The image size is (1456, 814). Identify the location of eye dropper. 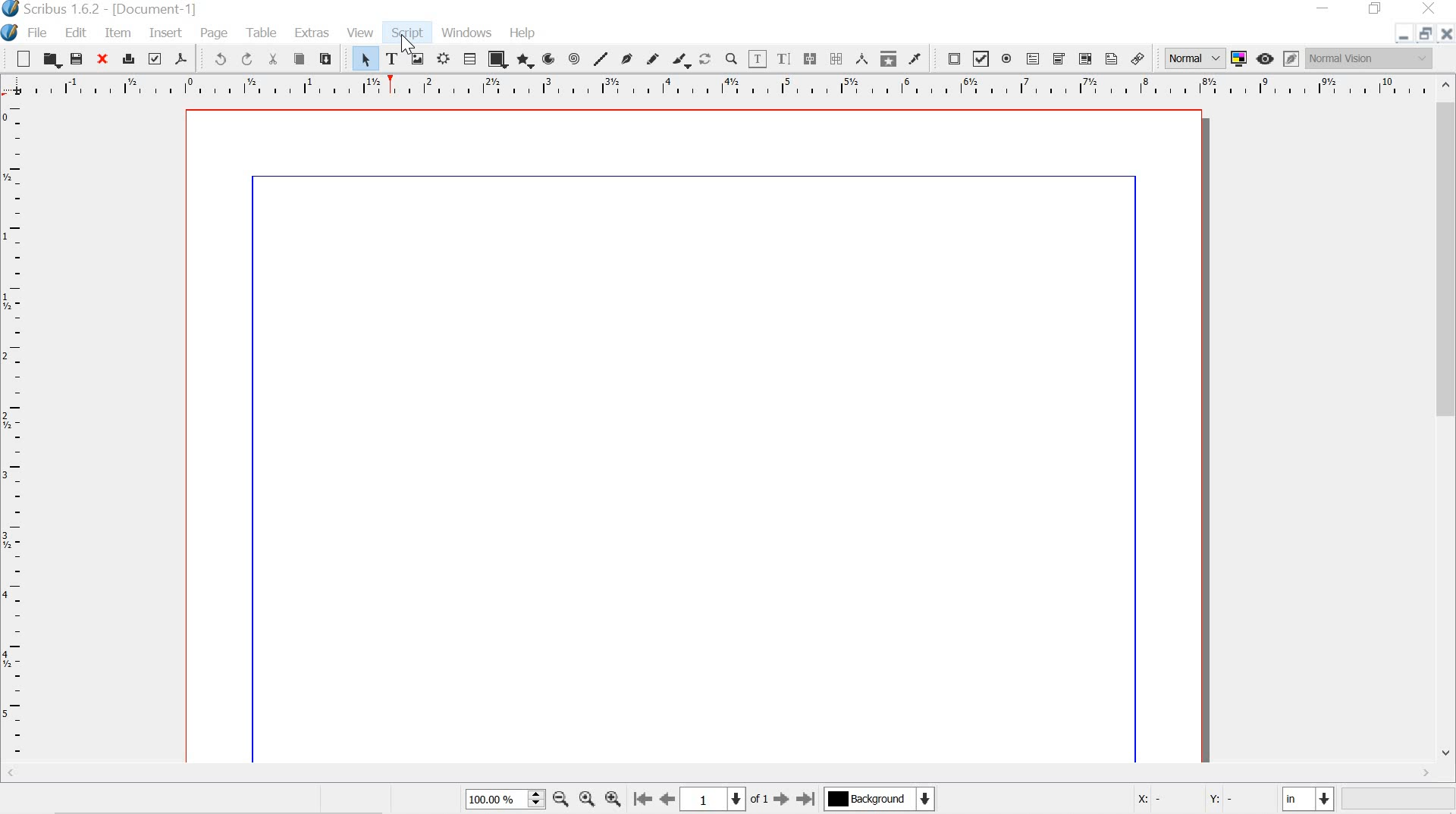
(915, 59).